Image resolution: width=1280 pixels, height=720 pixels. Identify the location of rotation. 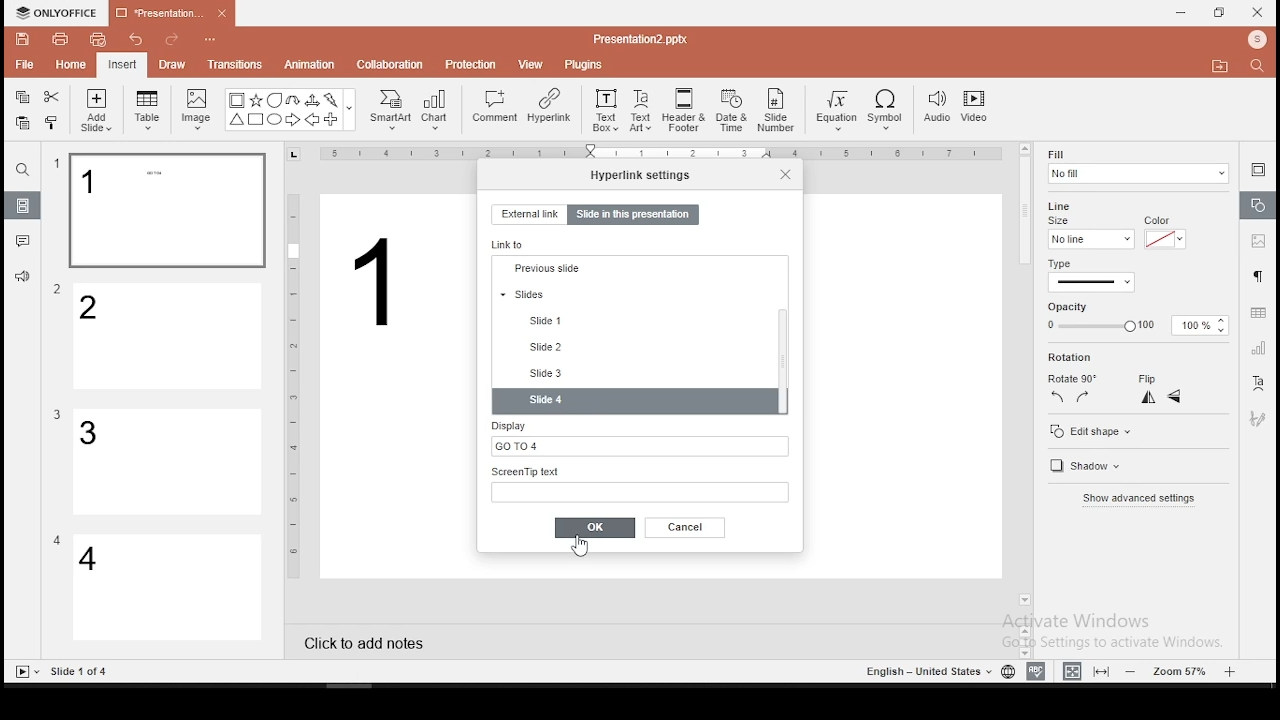
(1103, 358).